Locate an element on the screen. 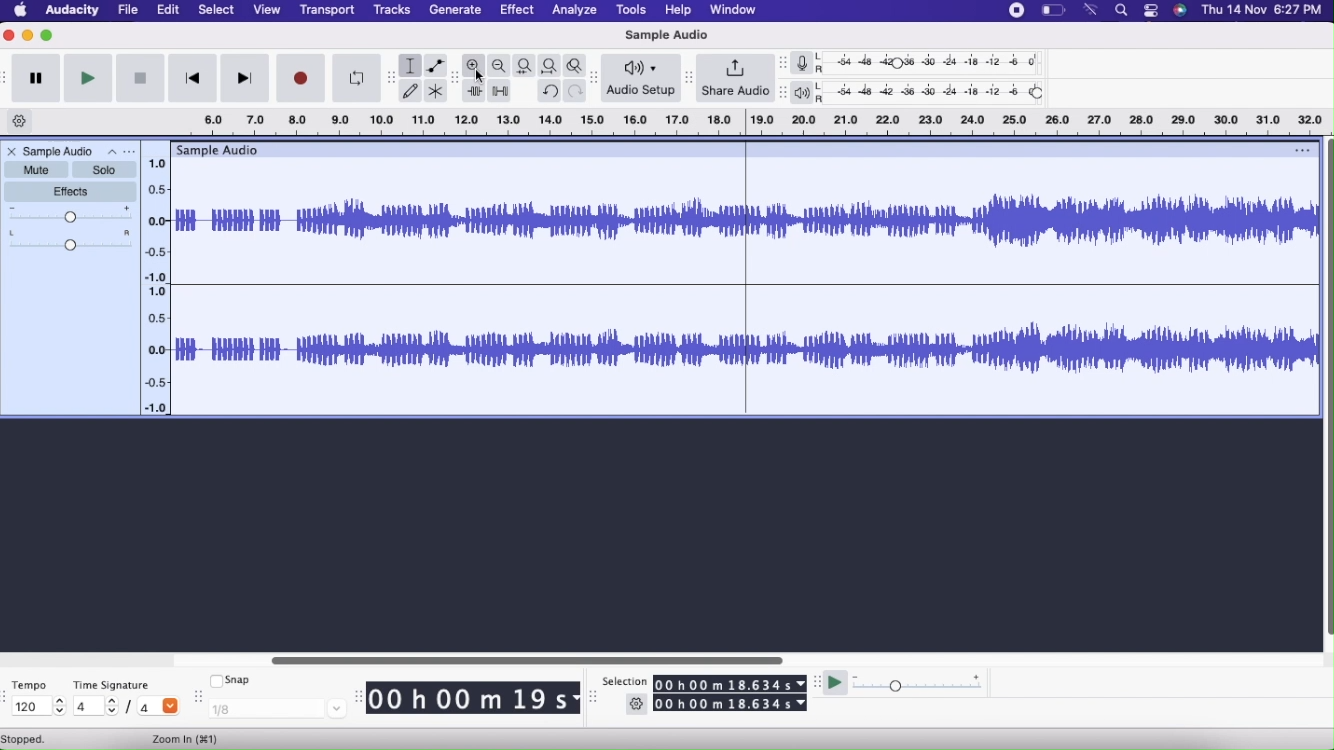  Zoom Out is located at coordinates (500, 66).